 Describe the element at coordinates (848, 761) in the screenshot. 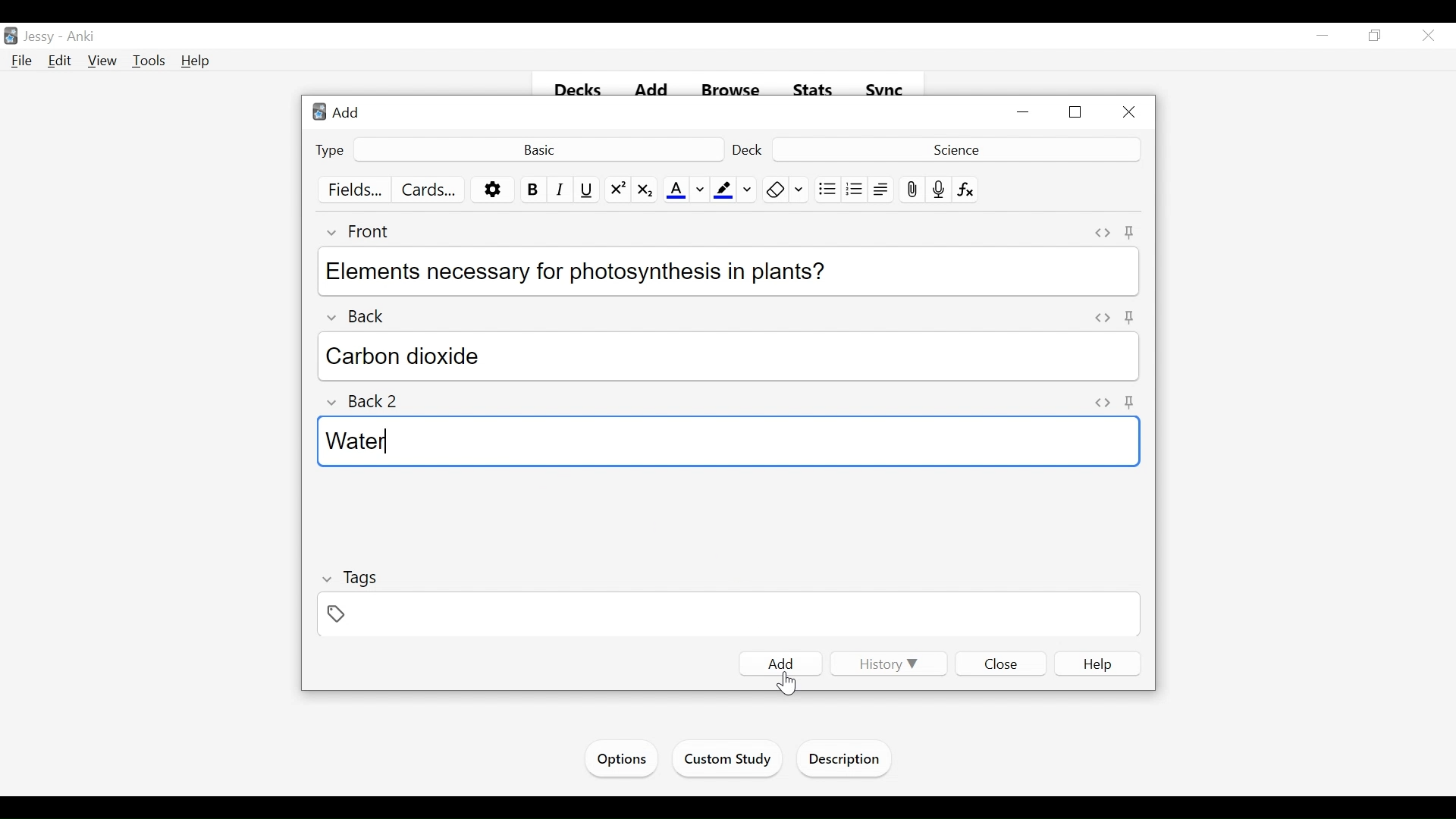

I see `Description` at that location.